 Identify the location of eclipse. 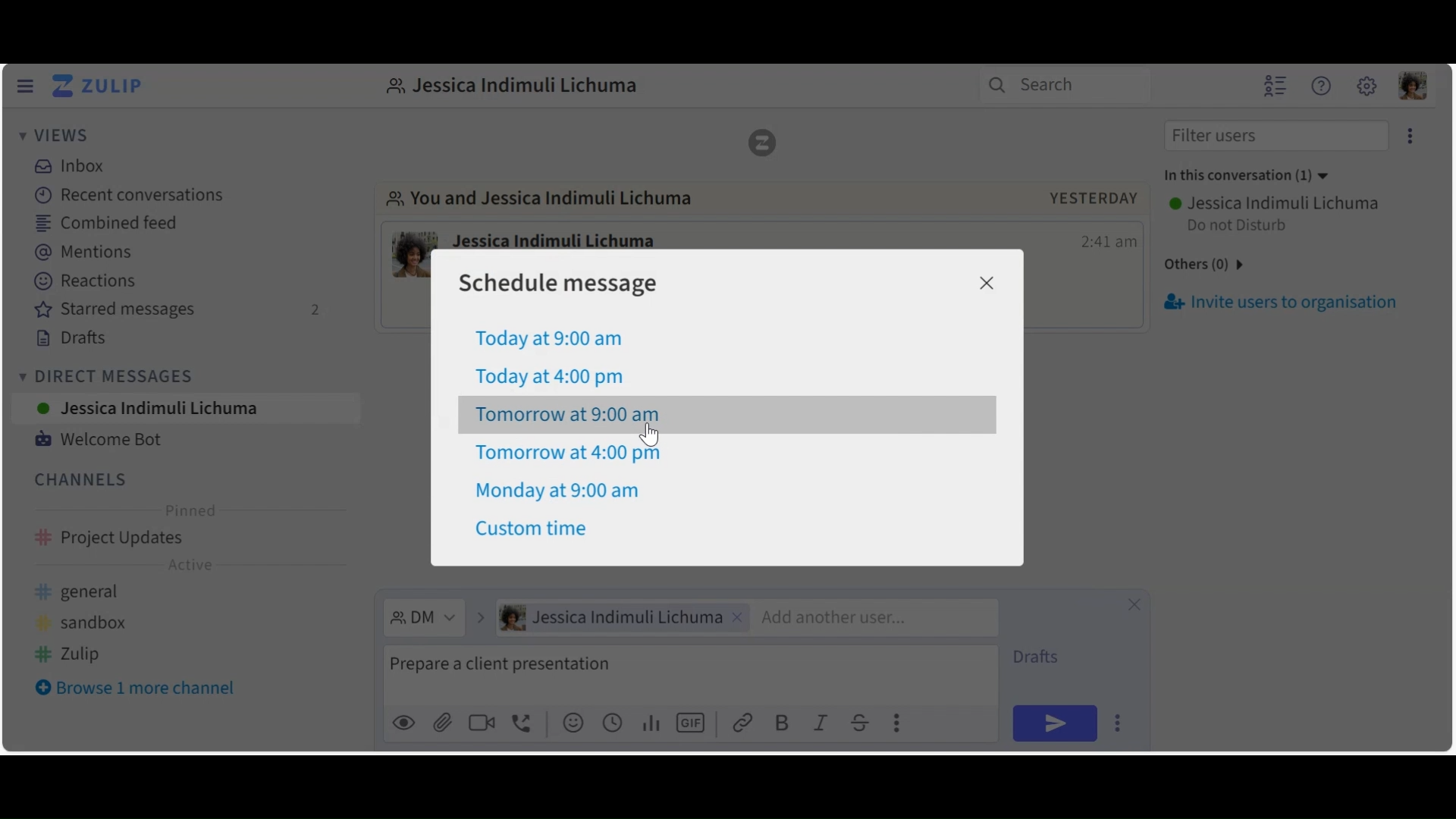
(1412, 135).